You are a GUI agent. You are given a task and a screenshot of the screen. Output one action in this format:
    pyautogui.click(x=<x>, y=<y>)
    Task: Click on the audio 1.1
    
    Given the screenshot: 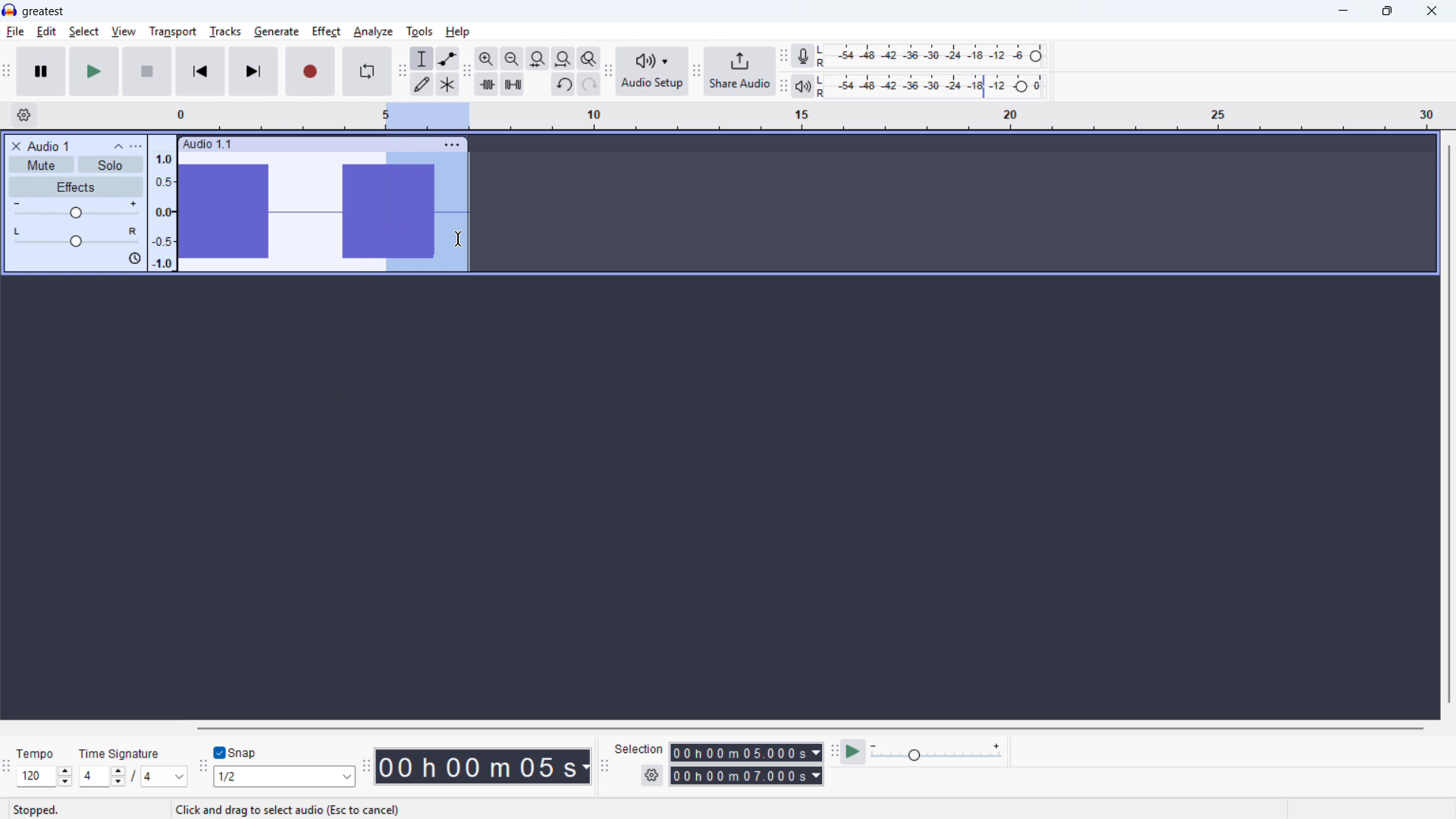 What is the action you would take?
    pyautogui.click(x=207, y=143)
    